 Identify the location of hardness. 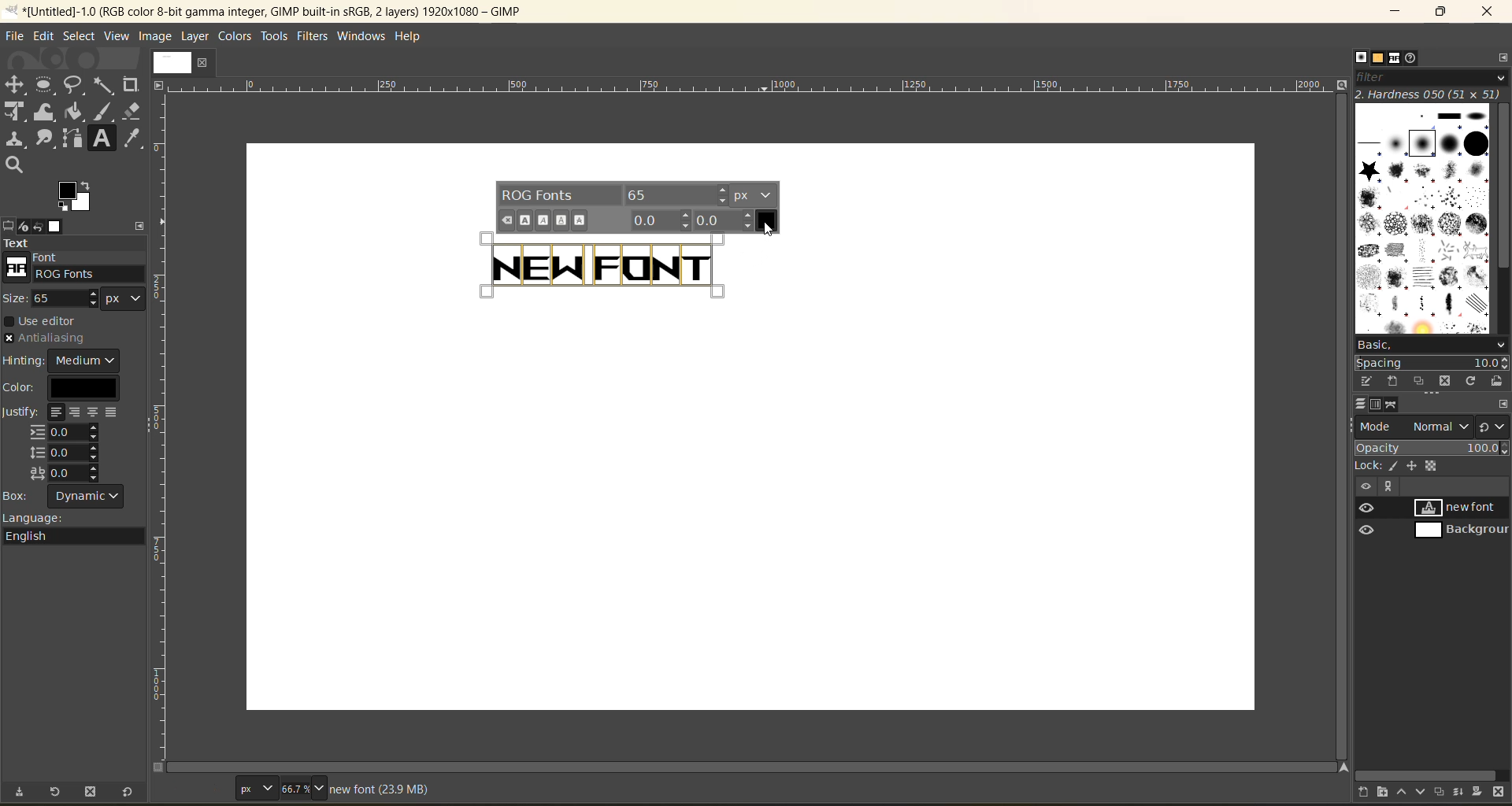
(1431, 94).